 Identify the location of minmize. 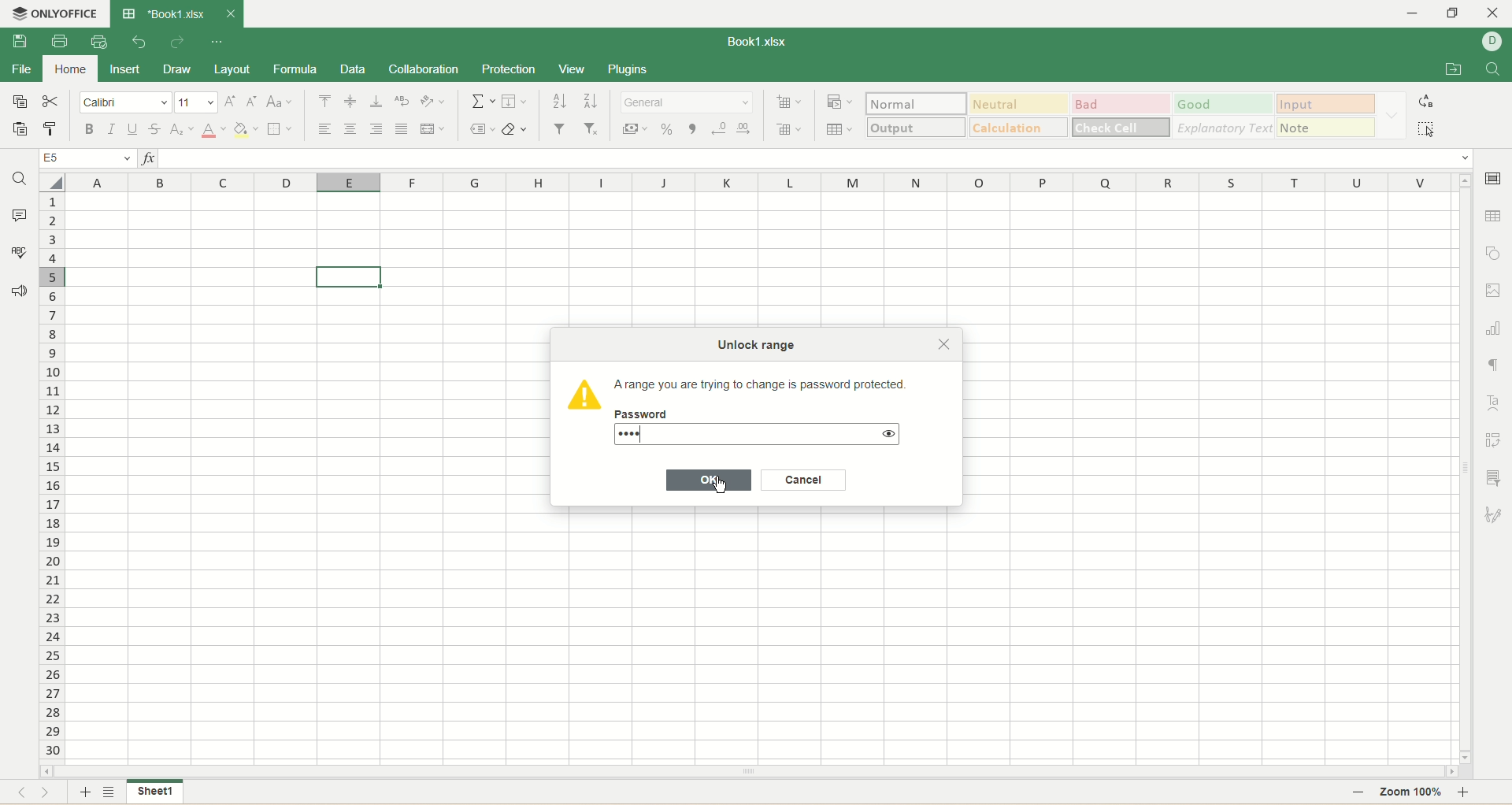
(1412, 13).